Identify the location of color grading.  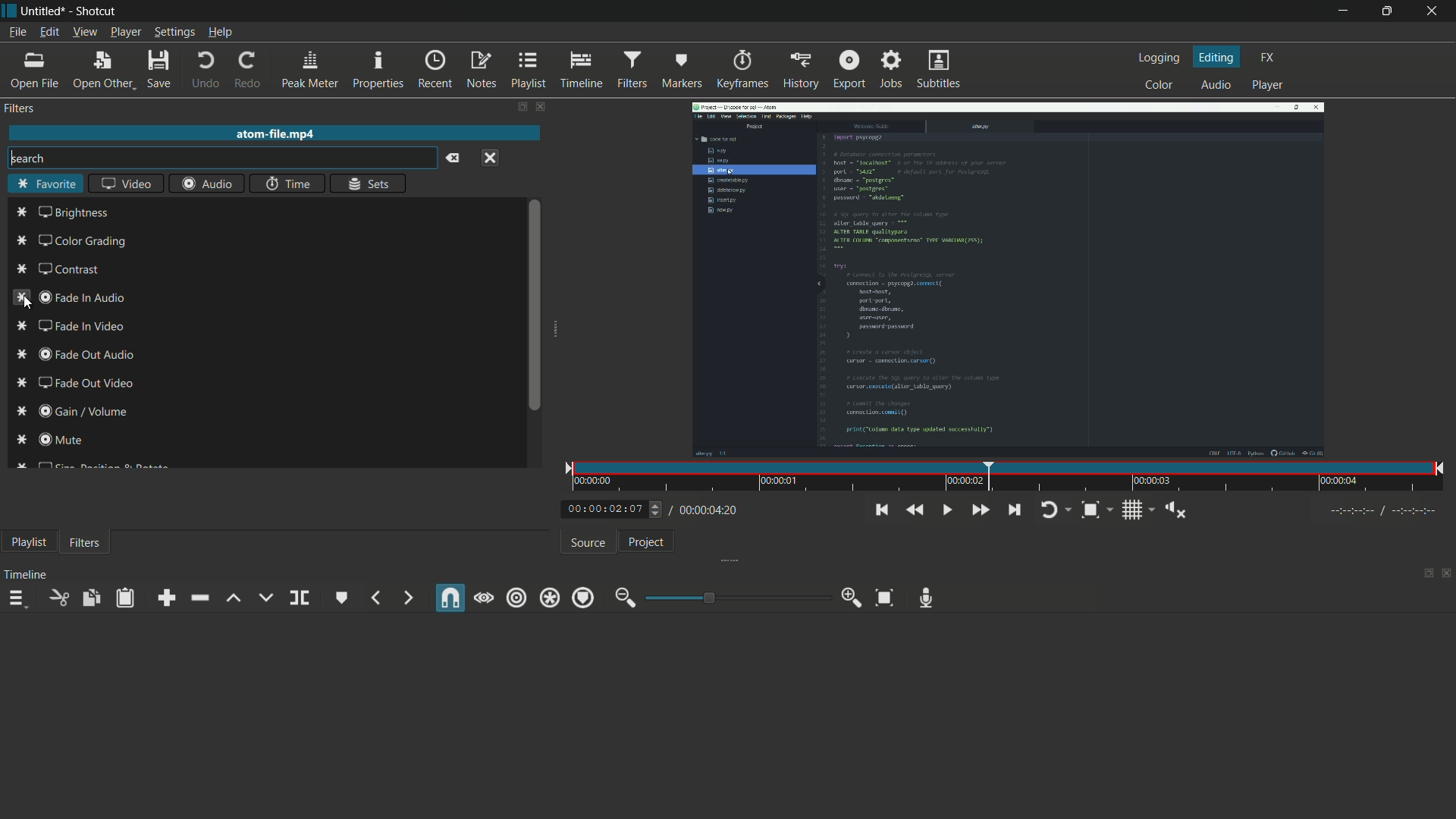
(84, 241).